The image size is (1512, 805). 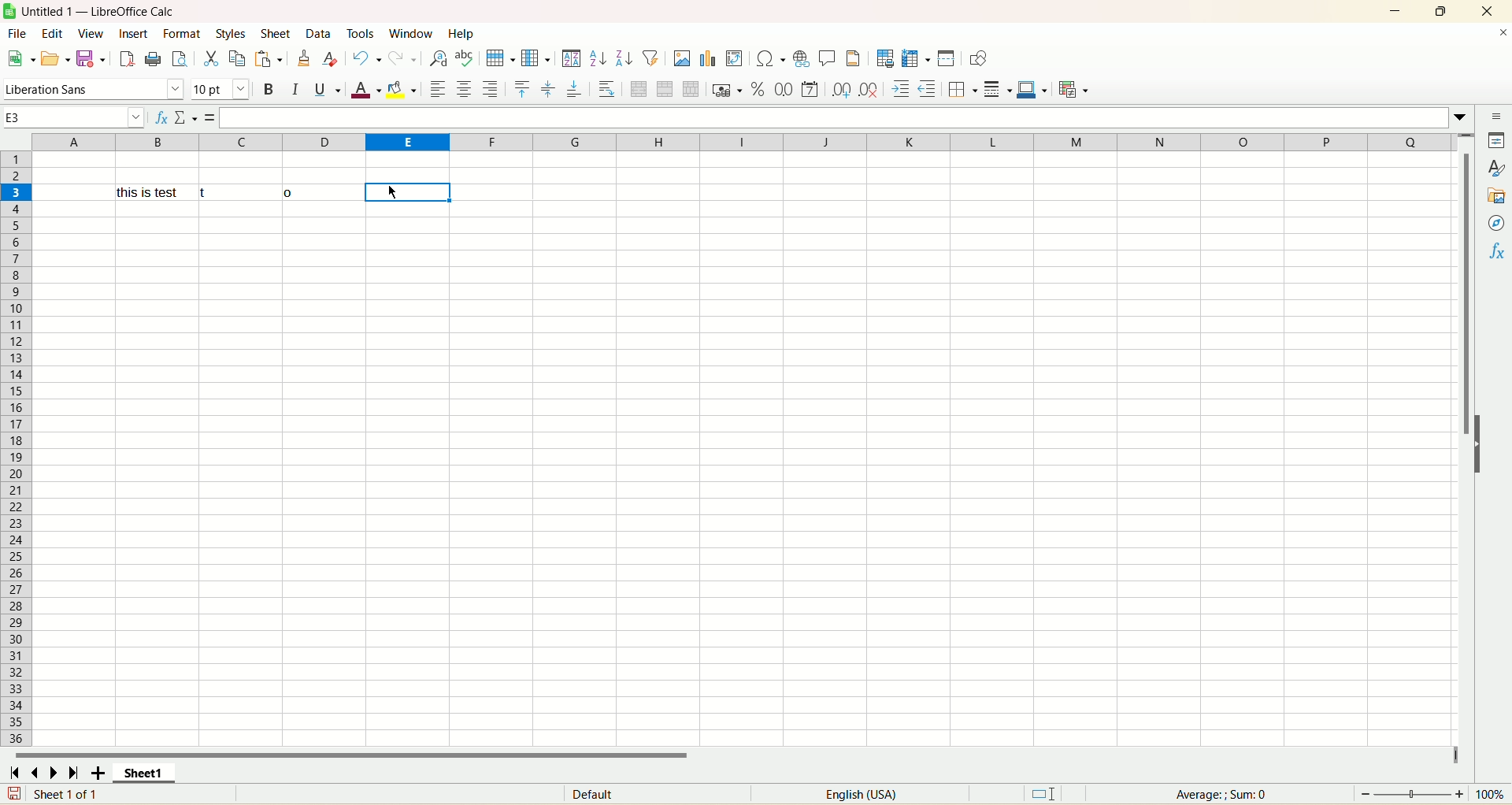 I want to click on gallery, so click(x=1495, y=196).